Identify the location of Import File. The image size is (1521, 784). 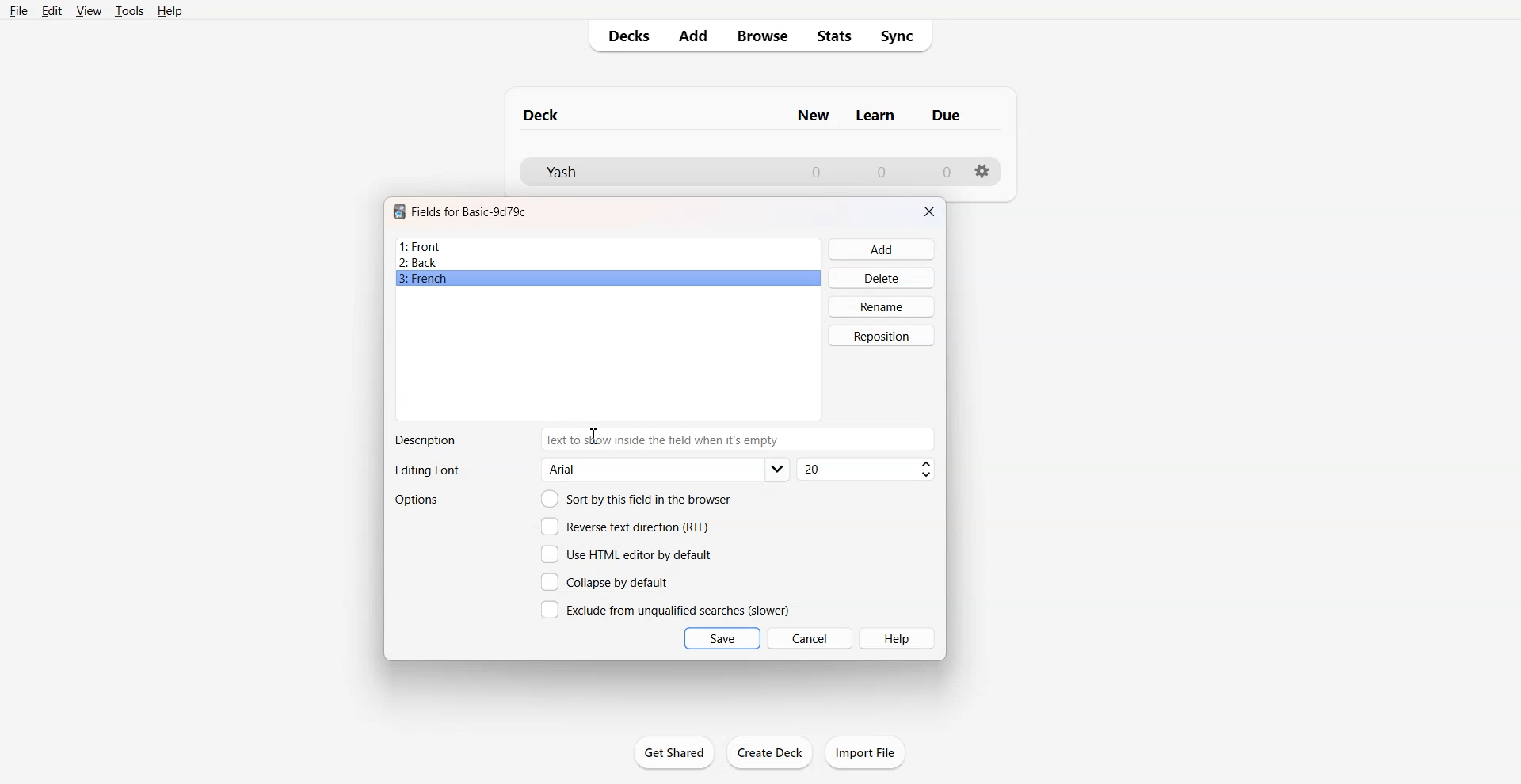
(865, 752).